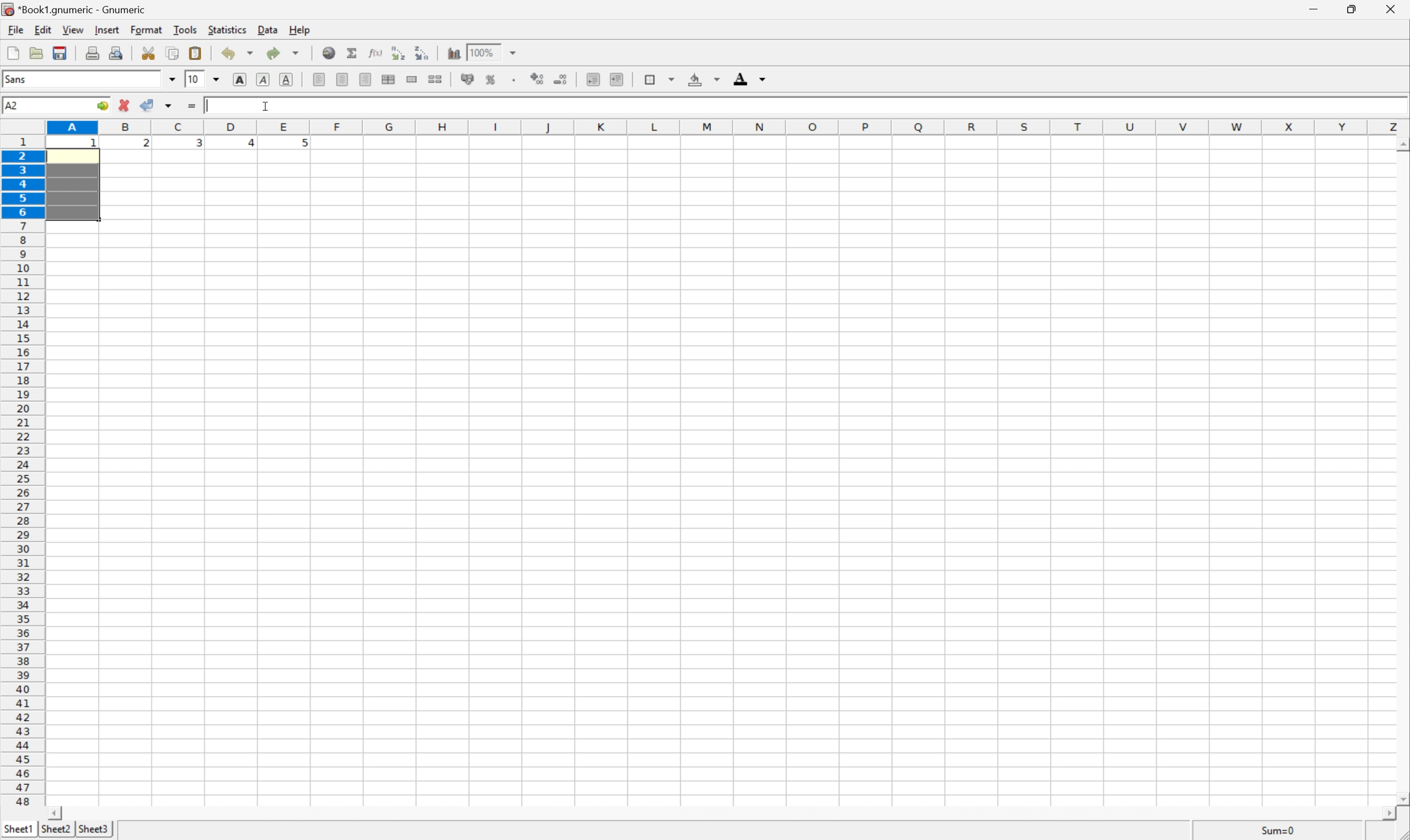 This screenshot has height=840, width=1410. What do you see at coordinates (20, 81) in the screenshot?
I see `font` at bounding box center [20, 81].